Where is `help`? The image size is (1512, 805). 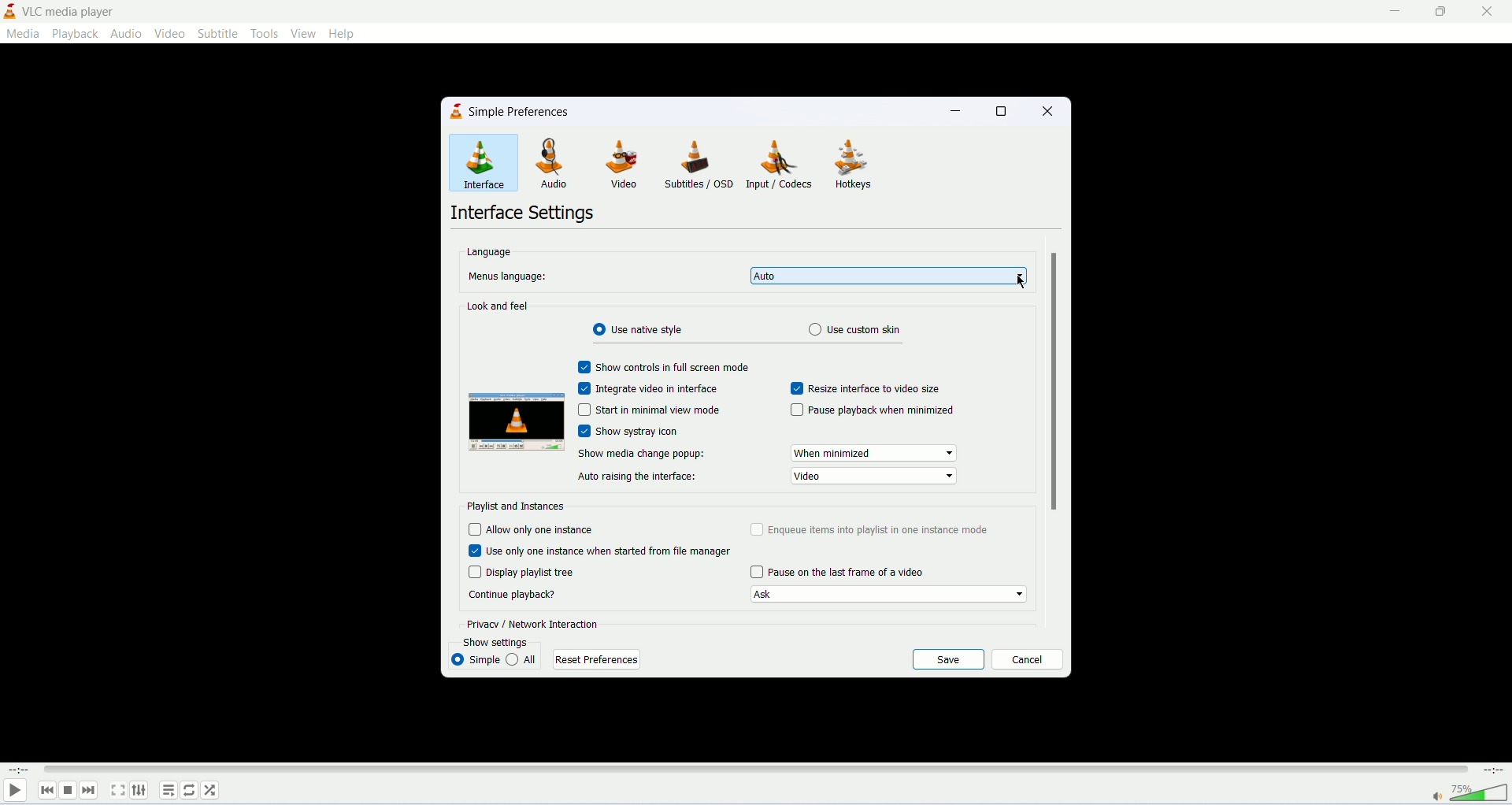
help is located at coordinates (345, 34).